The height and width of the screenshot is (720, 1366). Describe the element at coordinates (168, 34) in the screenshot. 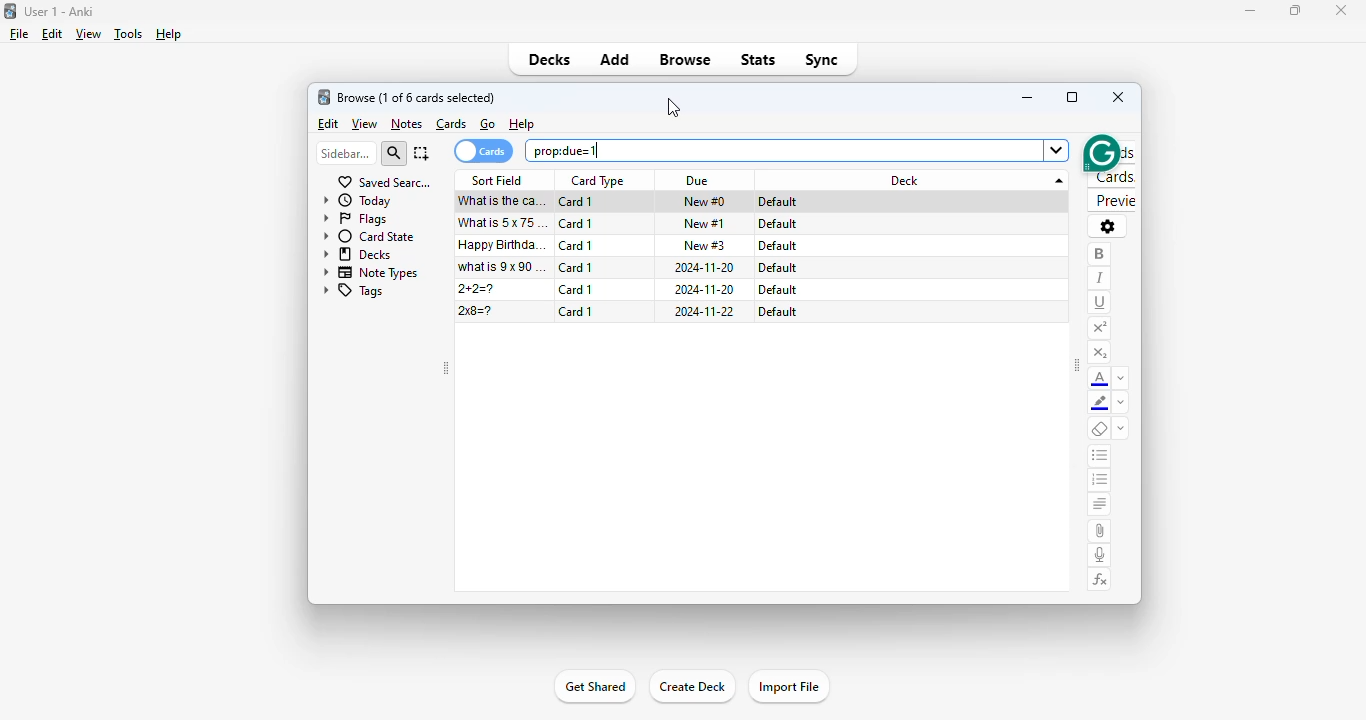

I see `help` at that location.